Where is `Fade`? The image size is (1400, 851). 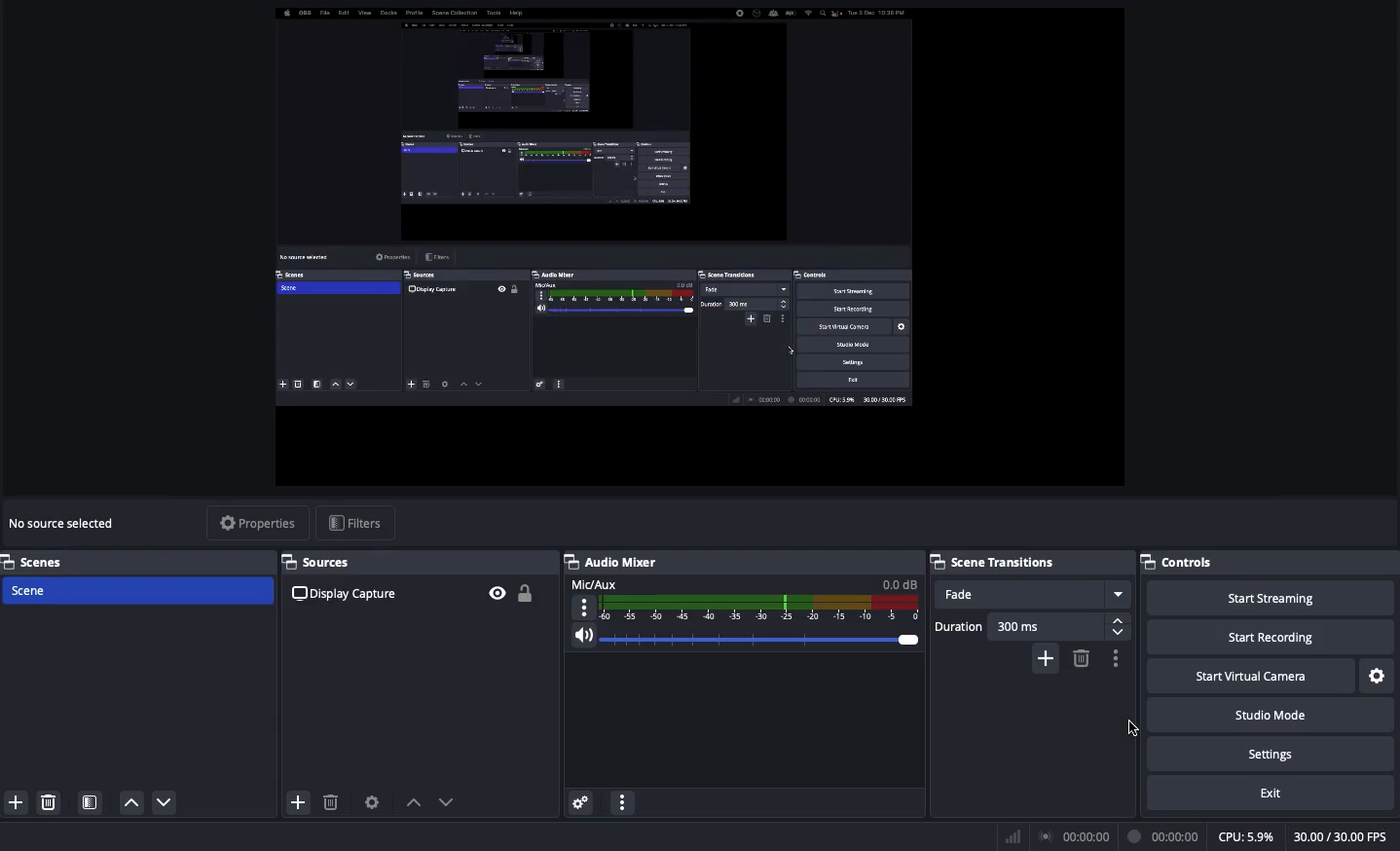 Fade is located at coordinates (1039, 595).